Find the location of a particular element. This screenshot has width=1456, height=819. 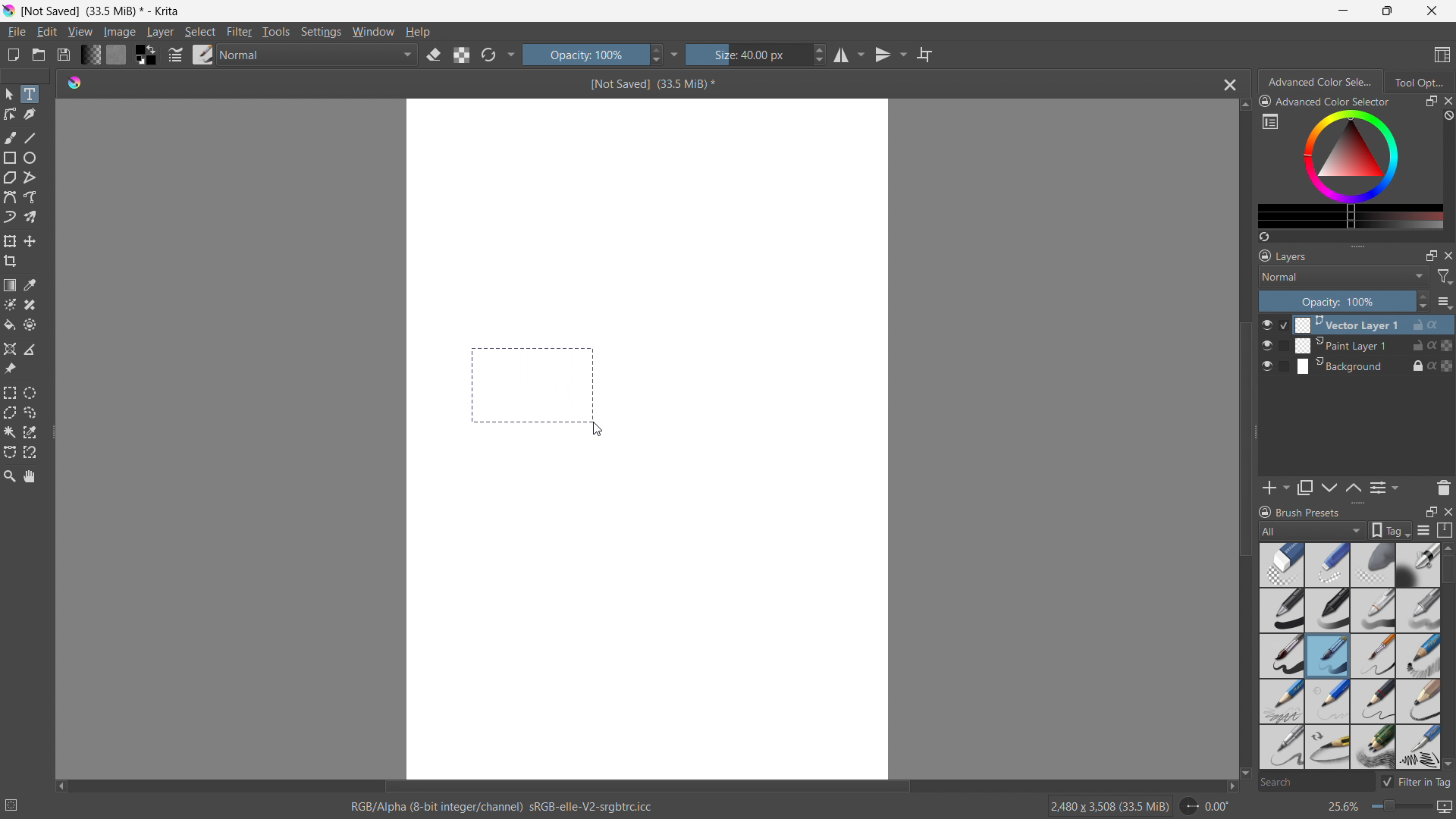

brush type is located at coordinates (1313, 530).